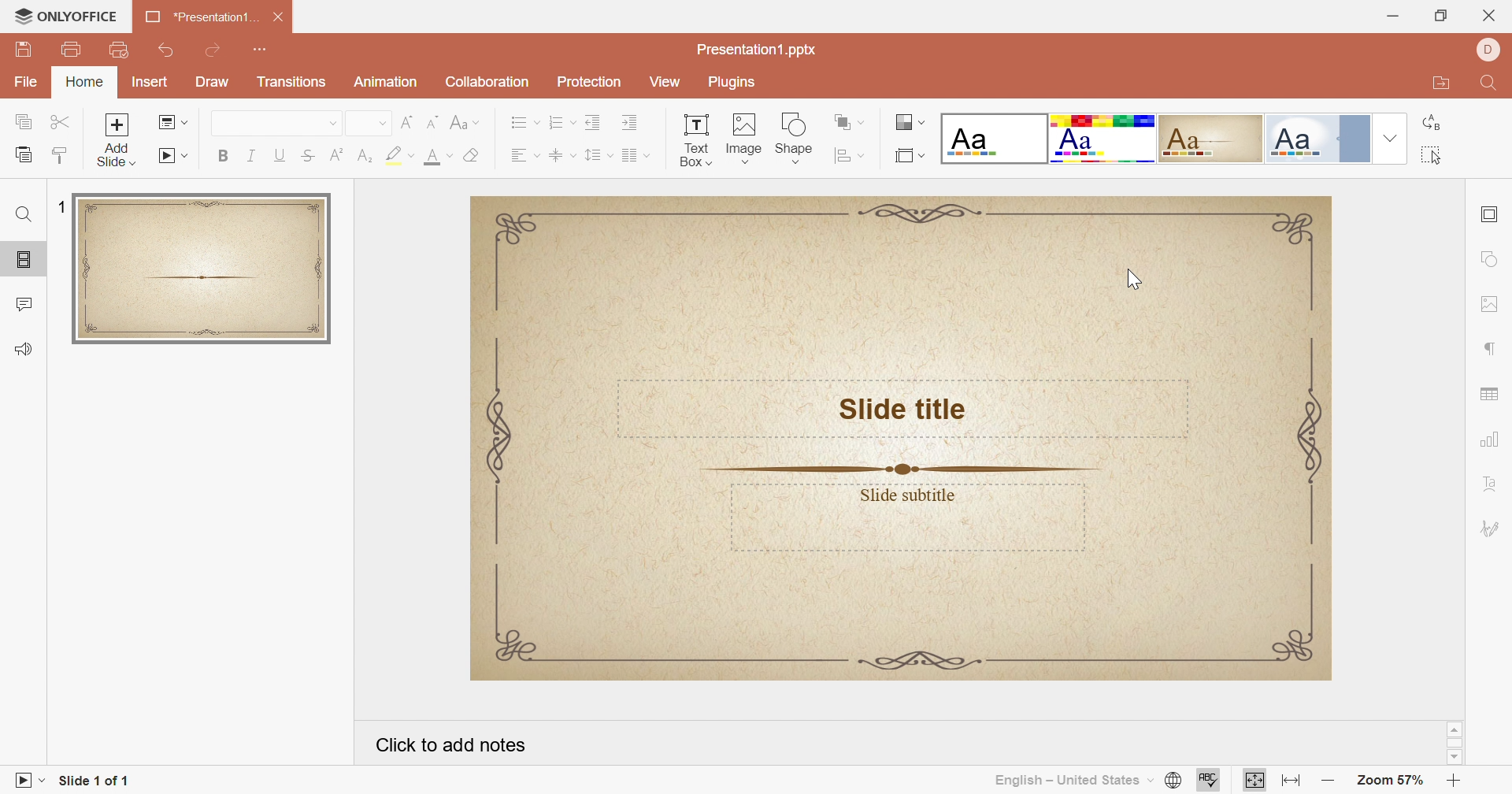 Image resolution: width=1512 pixels, height=794 pixels. Describe the element at coordinates (118, 50) in the screenshot. I see `Quick Print` at that location.